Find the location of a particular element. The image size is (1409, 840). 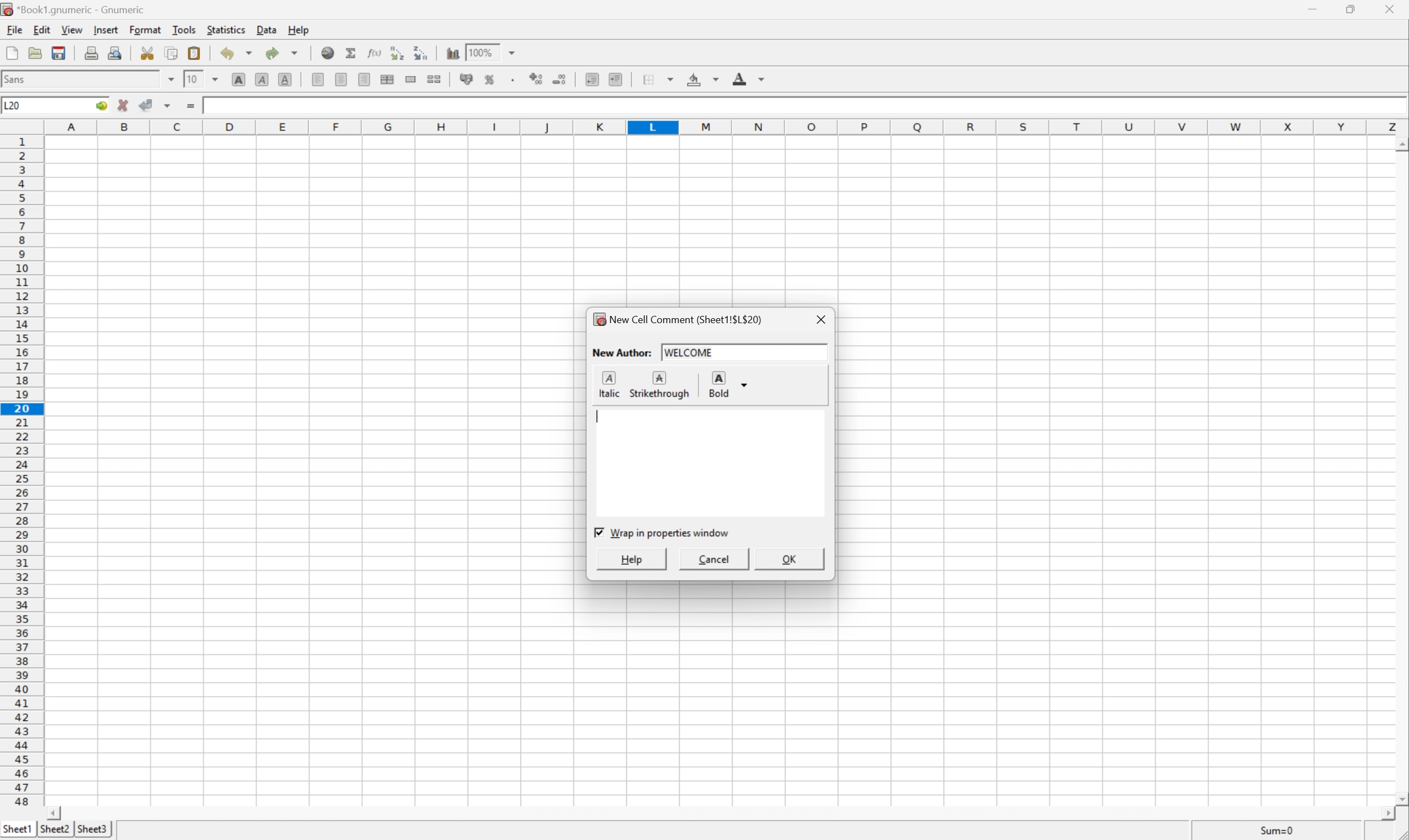

Center Horizontally is located at coordinates (342, 80).